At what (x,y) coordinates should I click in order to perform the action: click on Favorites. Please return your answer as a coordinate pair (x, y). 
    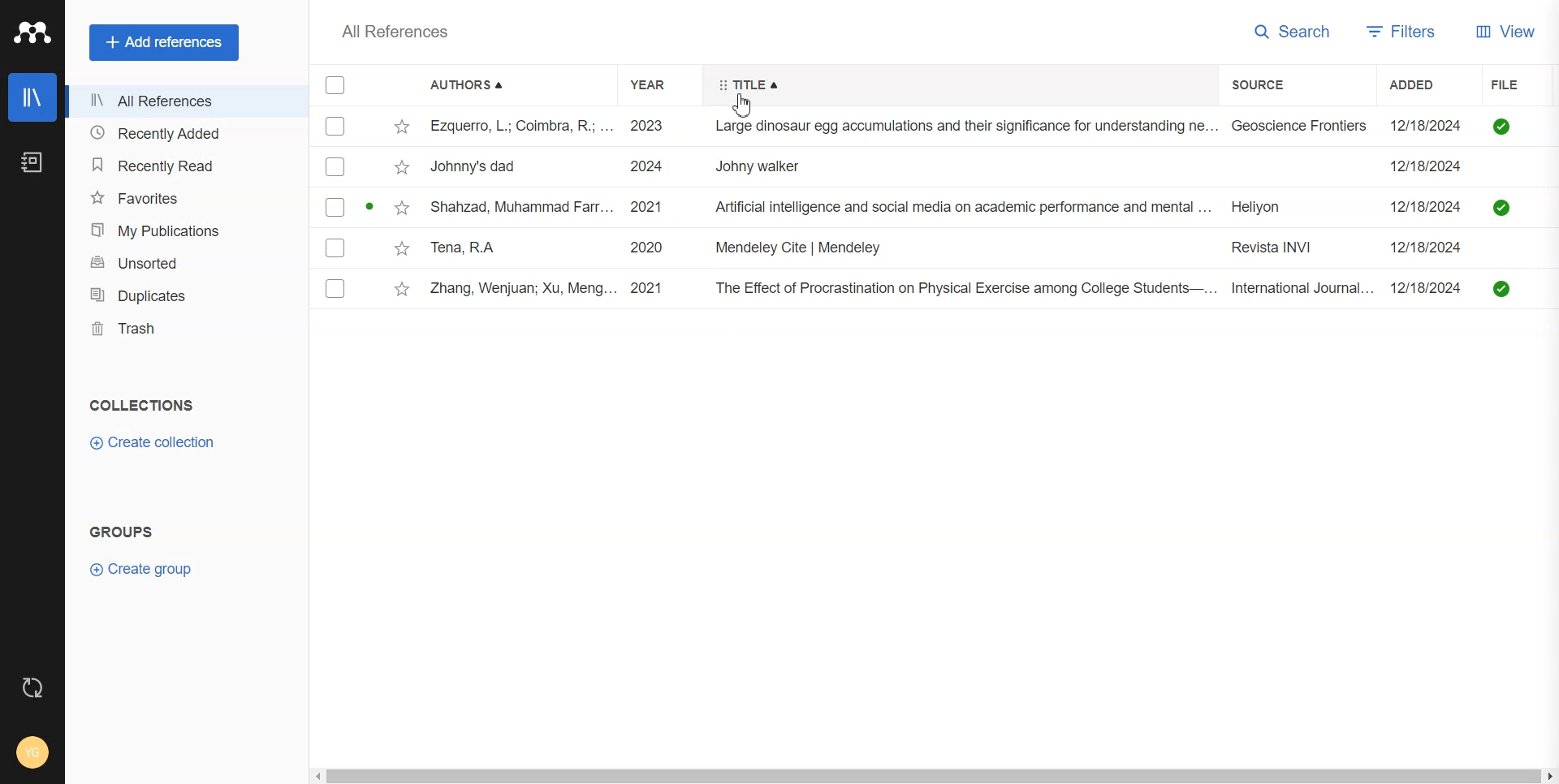
    Looking at the image, I should click on (186, 198).